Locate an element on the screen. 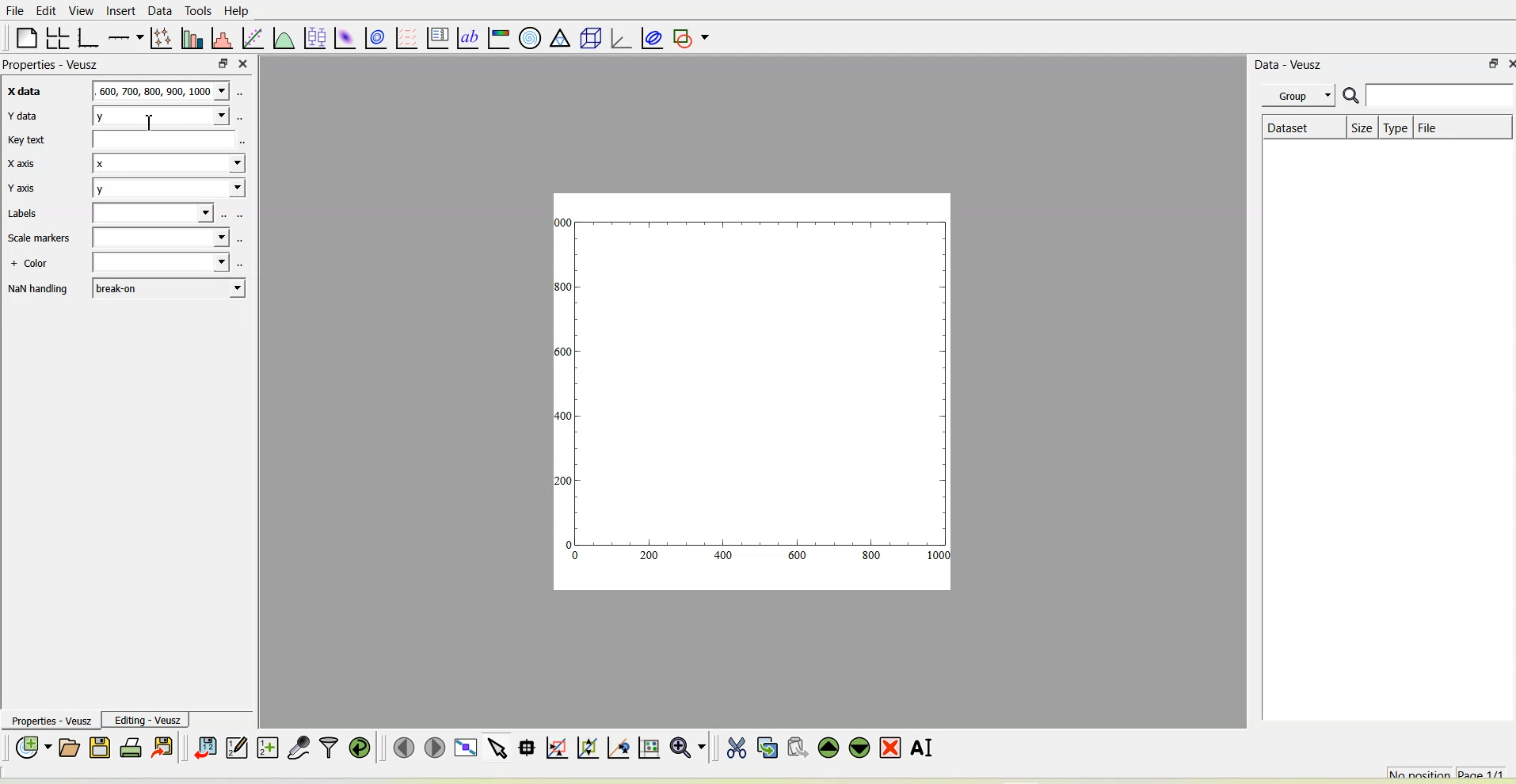  Capture remote data is located at coordinates (299, 748).